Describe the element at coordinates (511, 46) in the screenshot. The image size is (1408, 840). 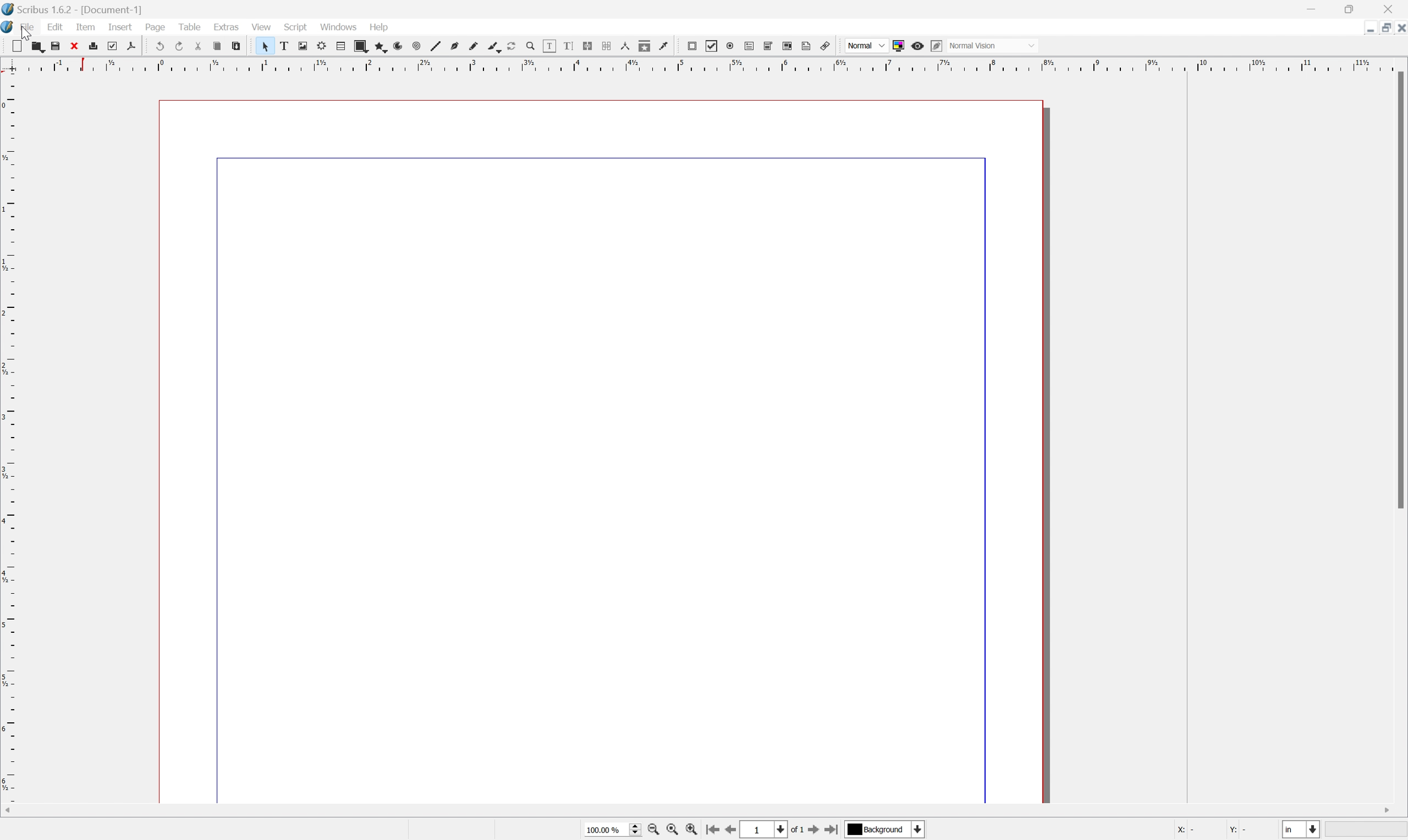
I see `Rotate item` at that location.